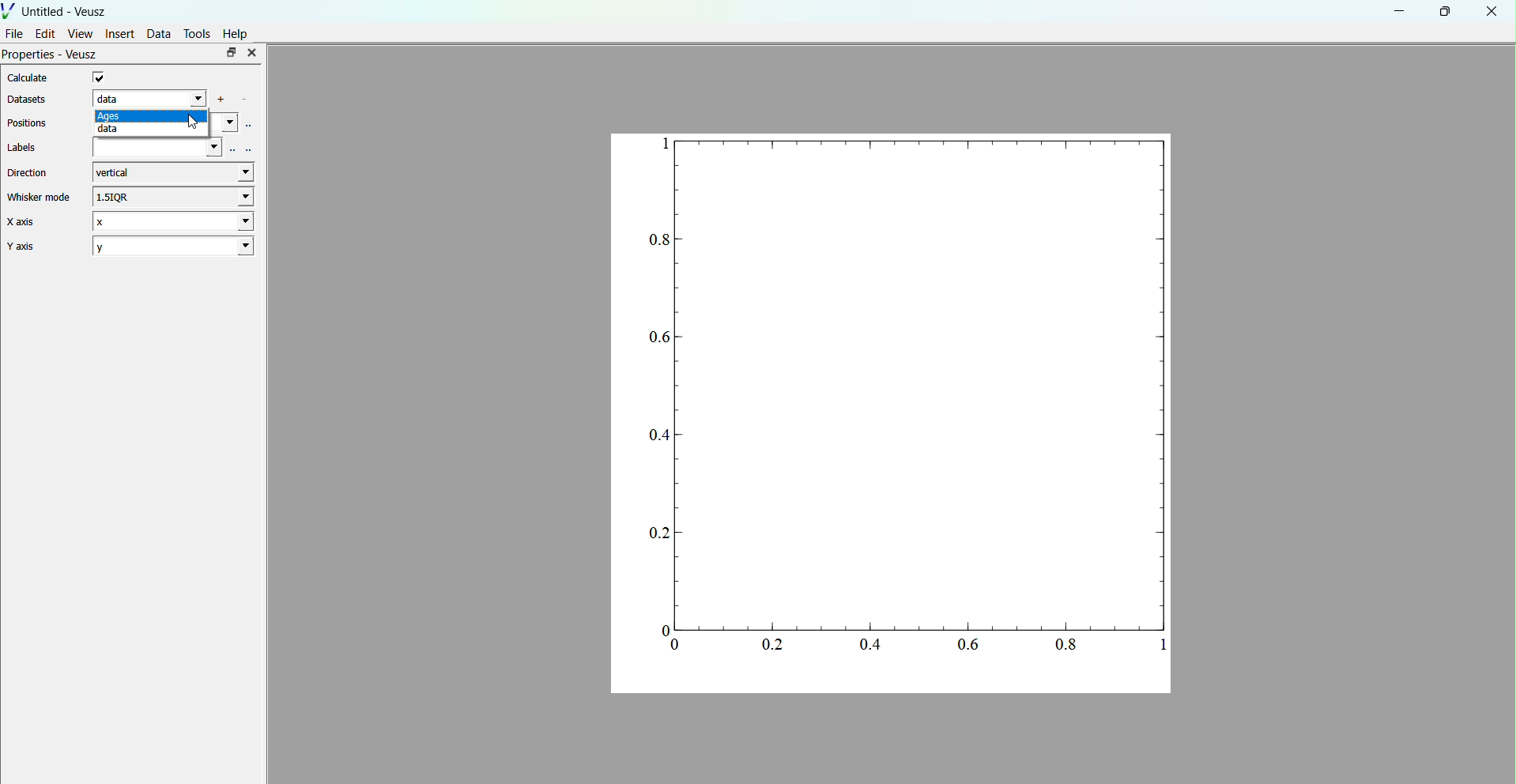  I want to click on Help, so click(236, 34).